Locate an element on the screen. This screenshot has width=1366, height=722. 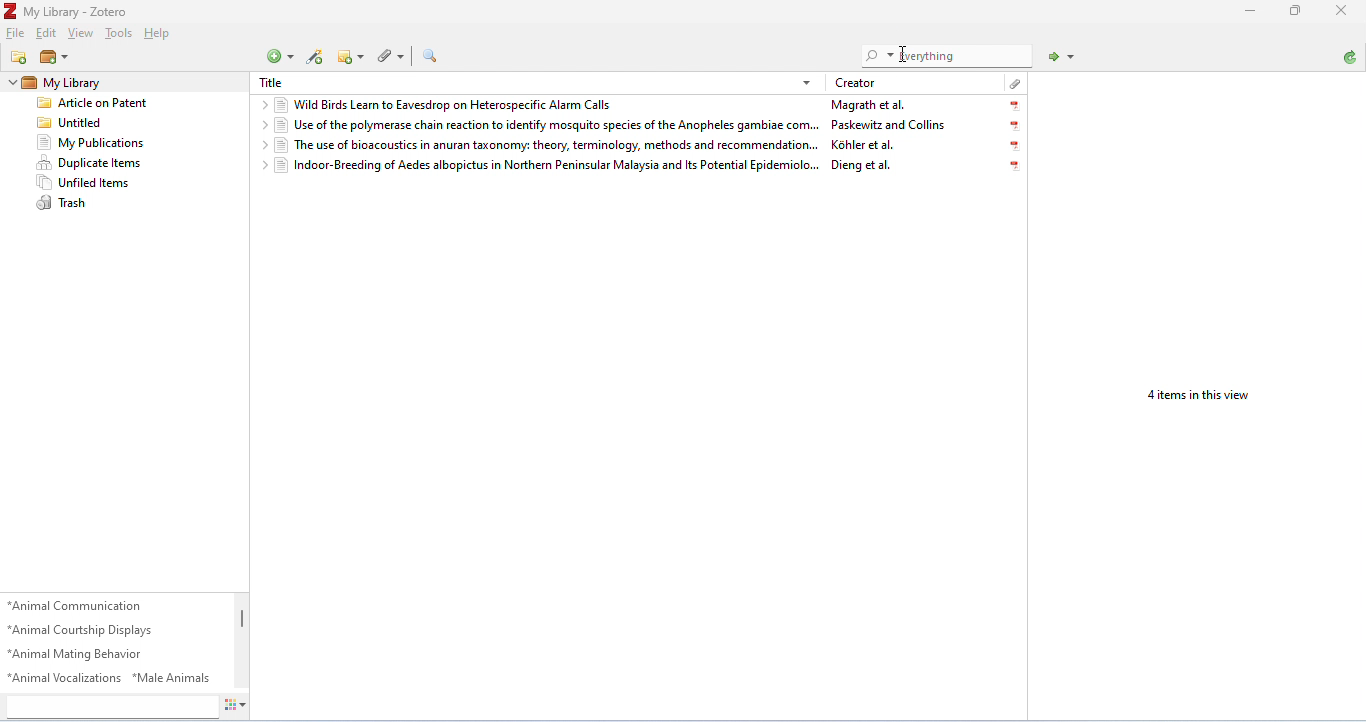
Attachment Type is located at coordinates (1014, 83).